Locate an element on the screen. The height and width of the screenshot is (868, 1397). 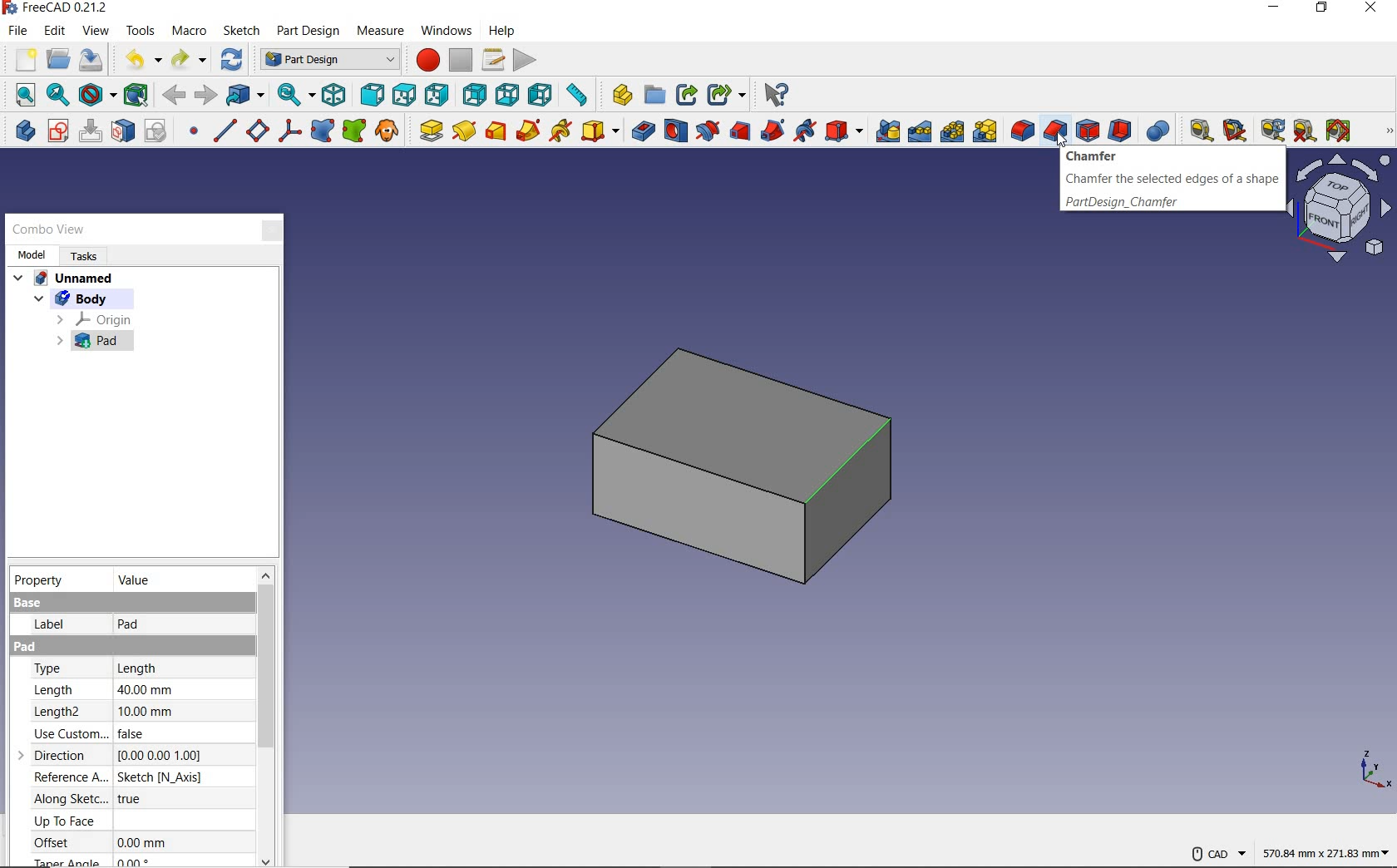
fit selection is located at coordinates (57, 96).